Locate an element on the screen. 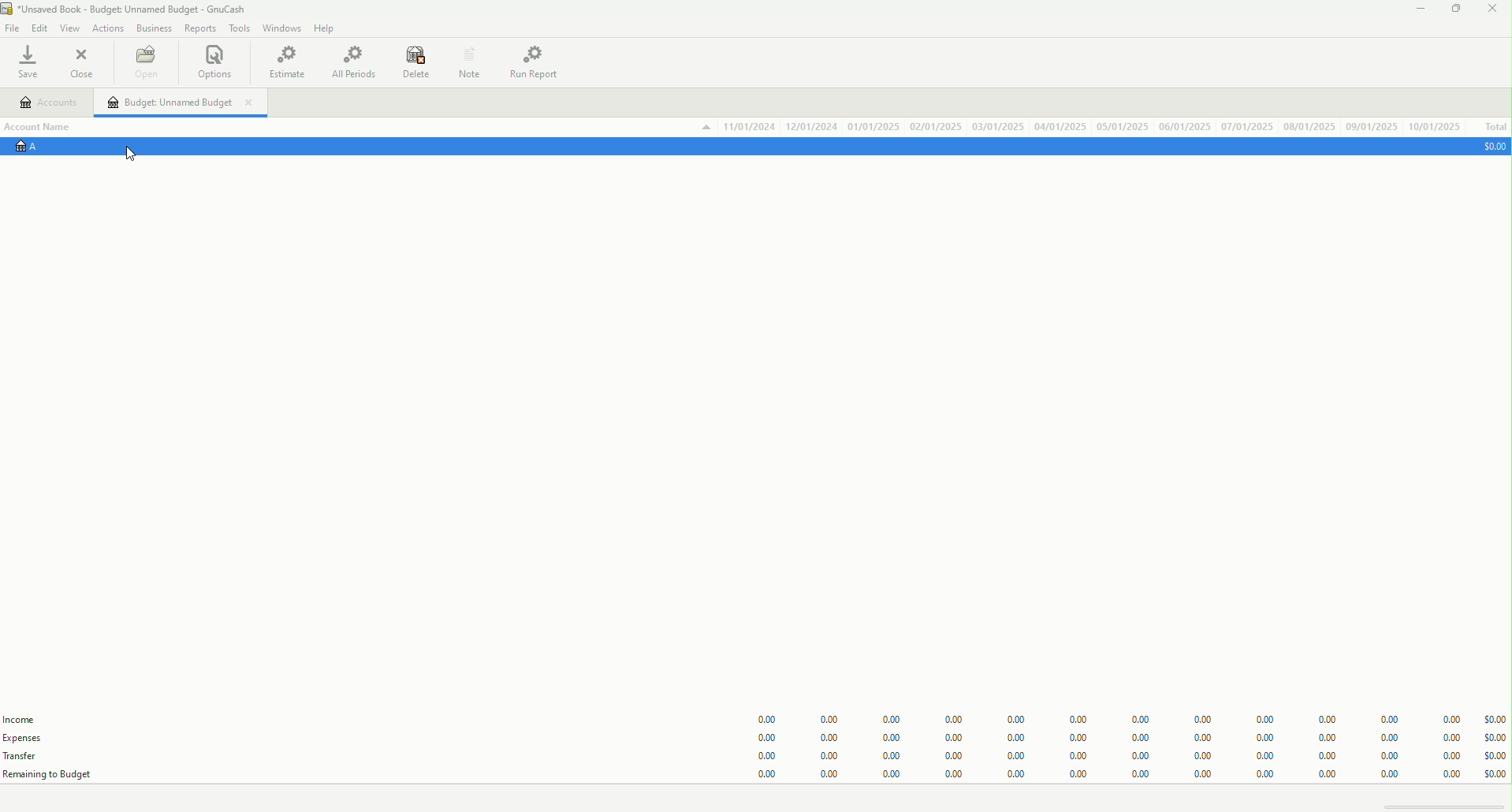 The width and height of the screenshot is (1512, 812). Date range is located at coordinates (1104, 126).